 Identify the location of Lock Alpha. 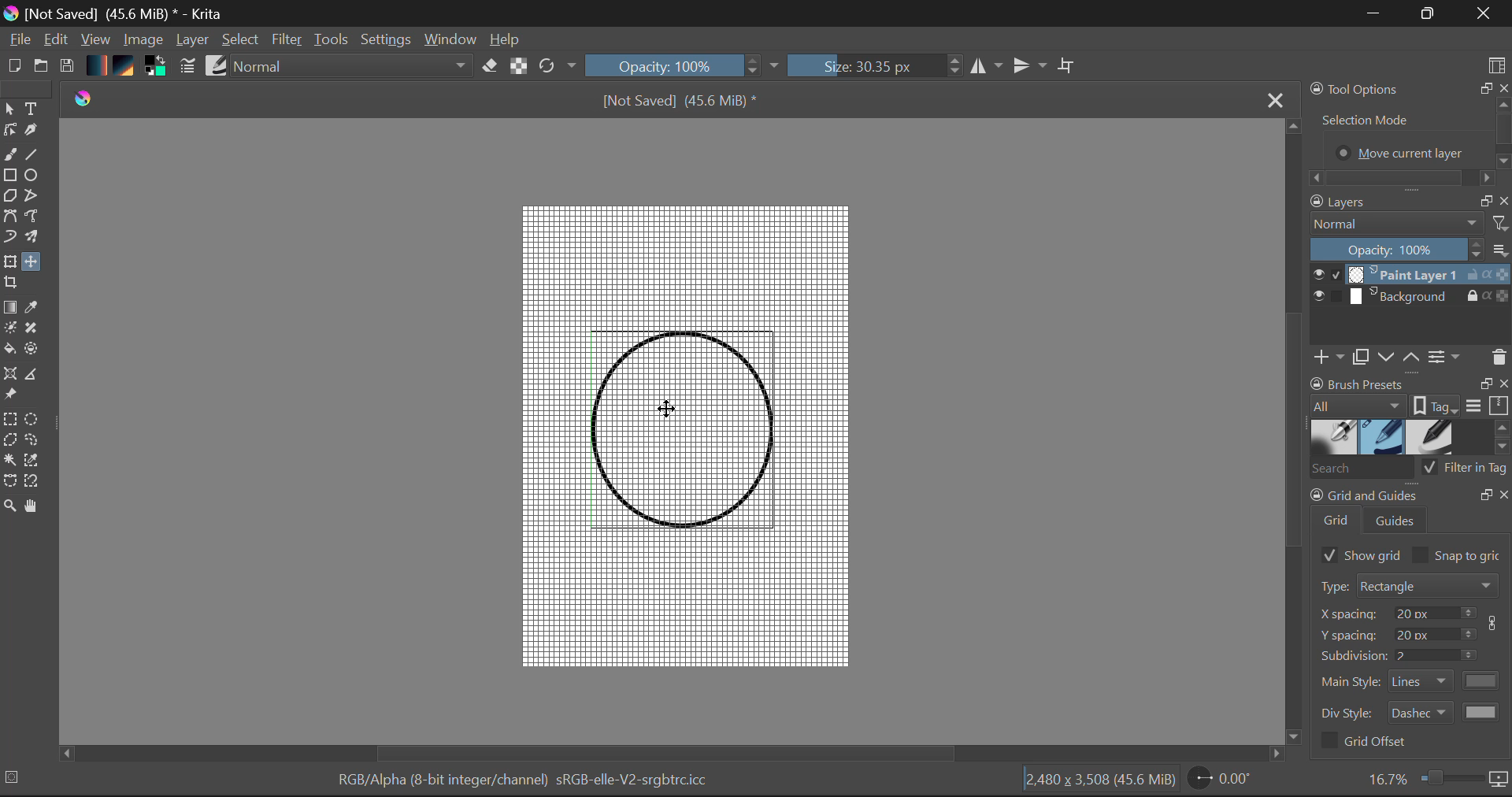
(518, 67).